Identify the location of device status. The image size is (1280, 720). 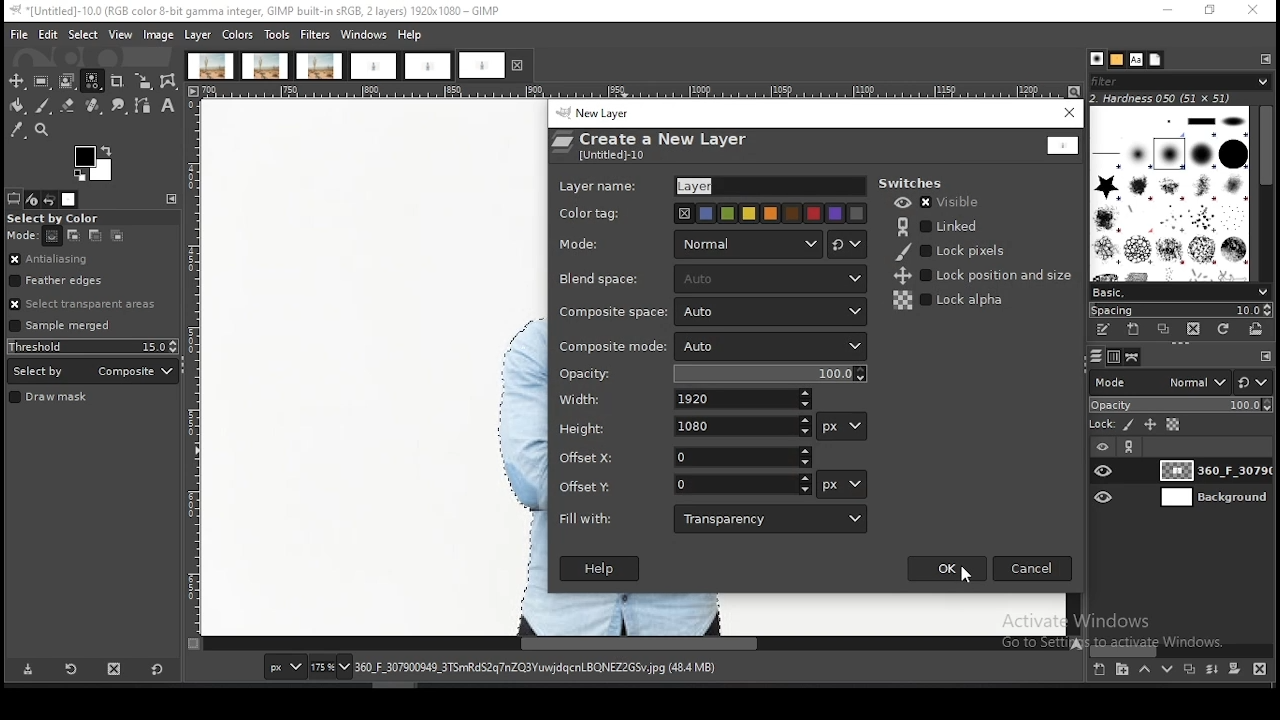
(32, 200).